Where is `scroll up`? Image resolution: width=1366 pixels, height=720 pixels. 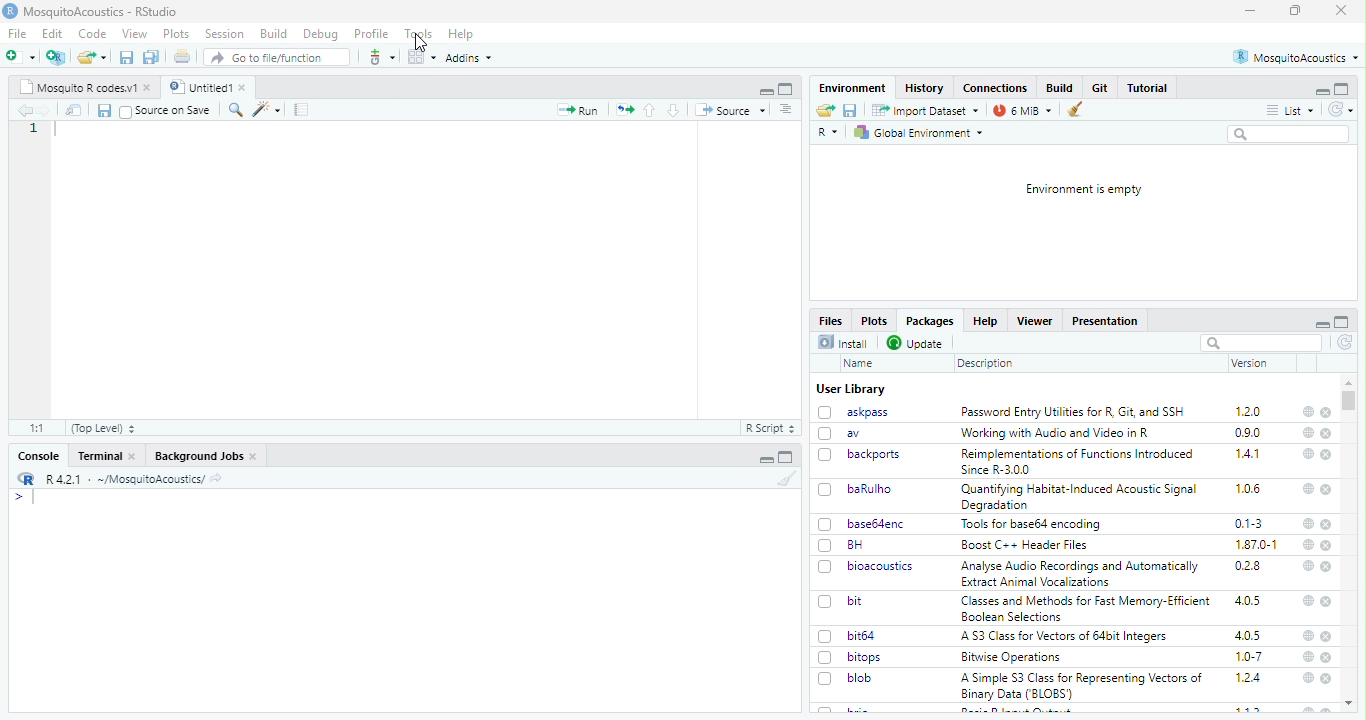
scroll up is located at coordinates (1349, 383).